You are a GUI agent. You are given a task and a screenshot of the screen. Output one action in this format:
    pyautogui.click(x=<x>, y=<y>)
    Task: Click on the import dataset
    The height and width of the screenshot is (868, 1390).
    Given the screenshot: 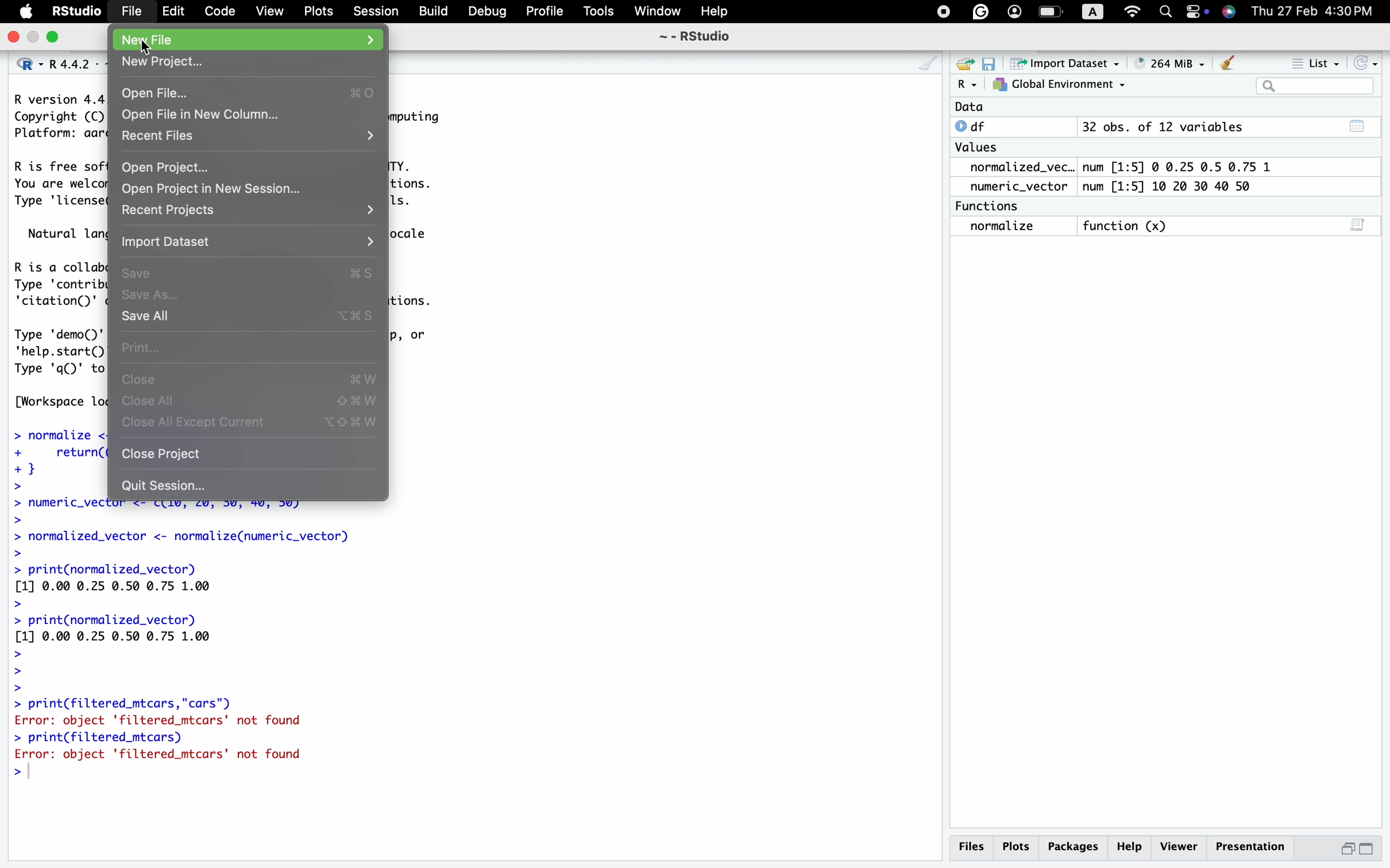 What is the action you would take?
    pyautogui.click(x=1072, y=64)
    